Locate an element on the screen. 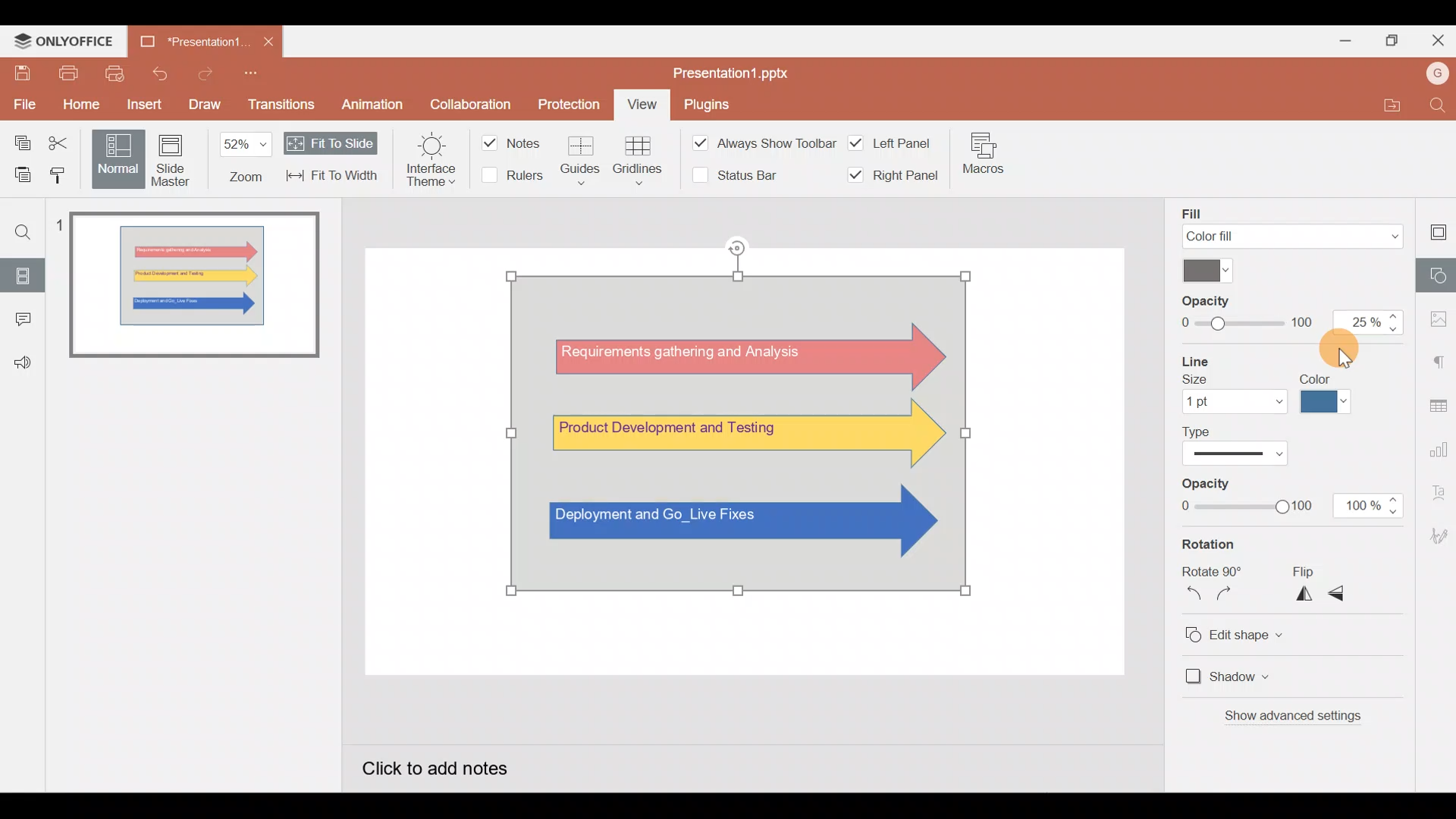  Line size is located at coordinates (1229, 383).